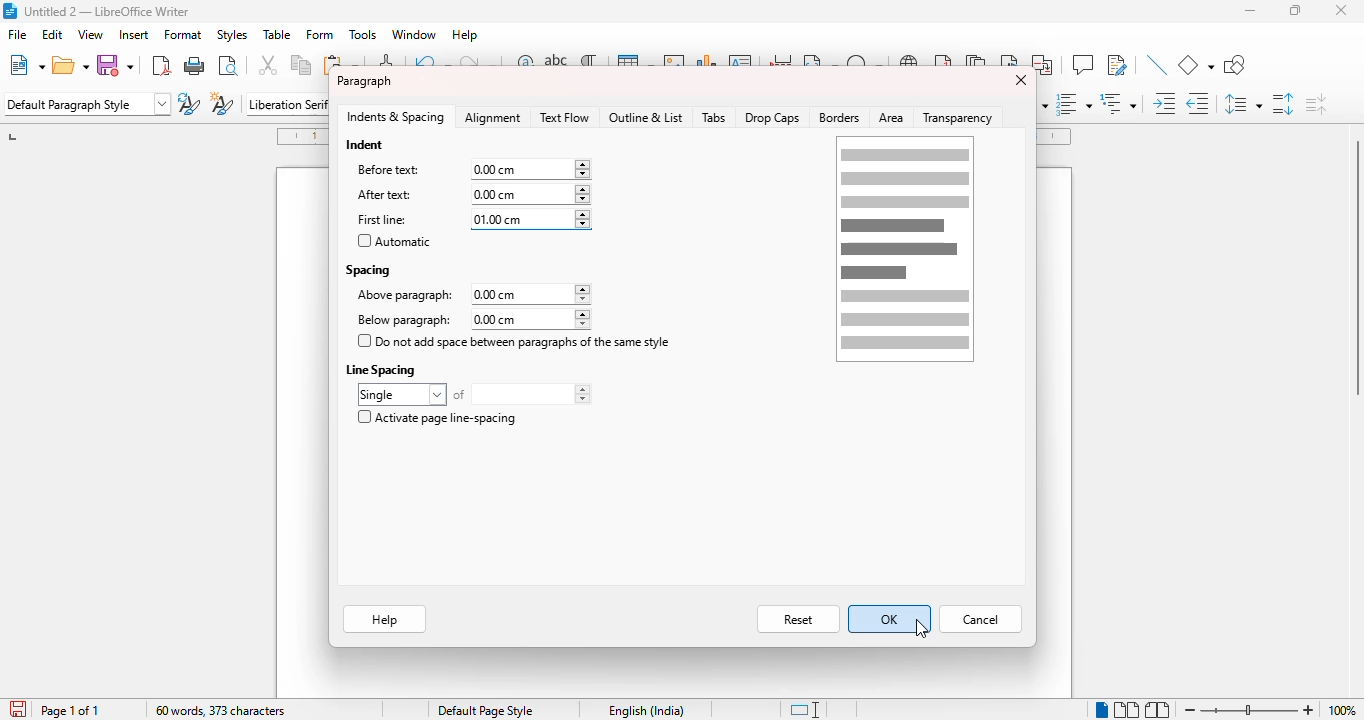 This screenshot has width=1364, height=720. What do you see at coordinates (468, 194) in the screenshot?
I see `after text: 0.00 cm` at bounding box center [468, 194].